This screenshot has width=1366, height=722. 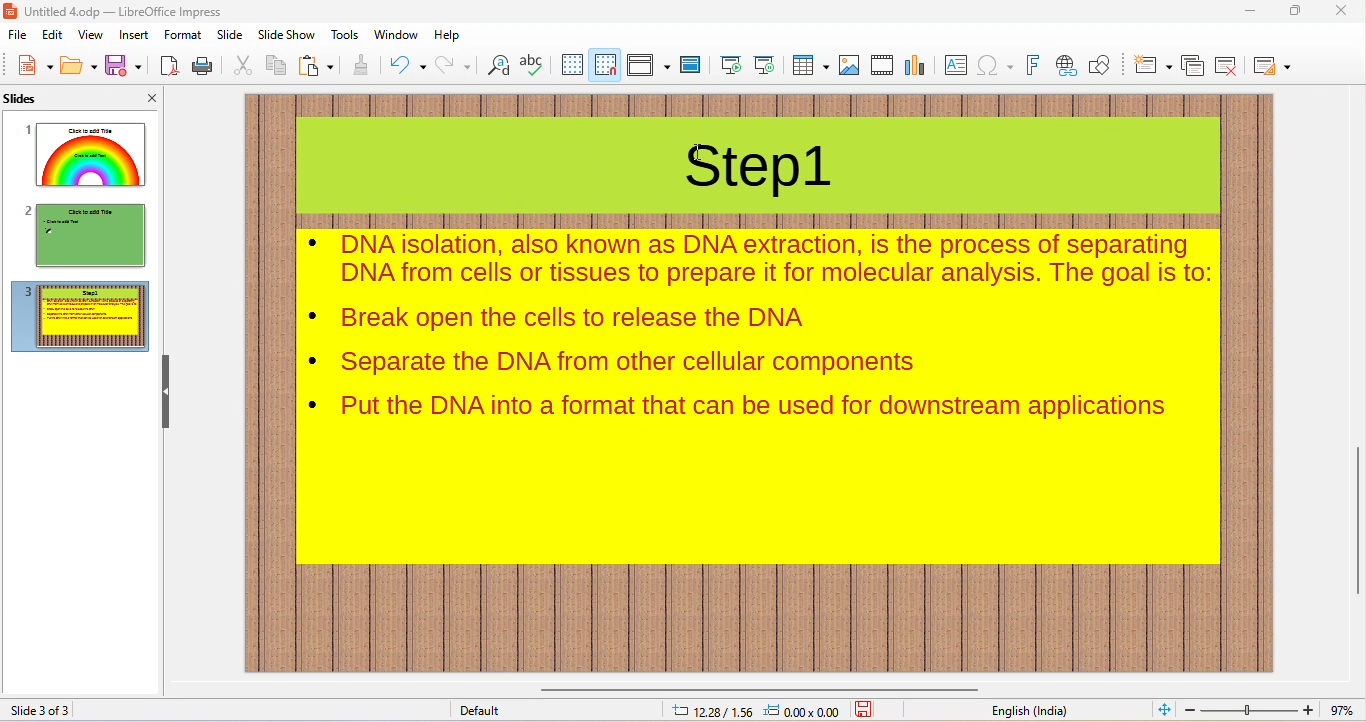 I want to click on slide2, so click(x=81, y=238).